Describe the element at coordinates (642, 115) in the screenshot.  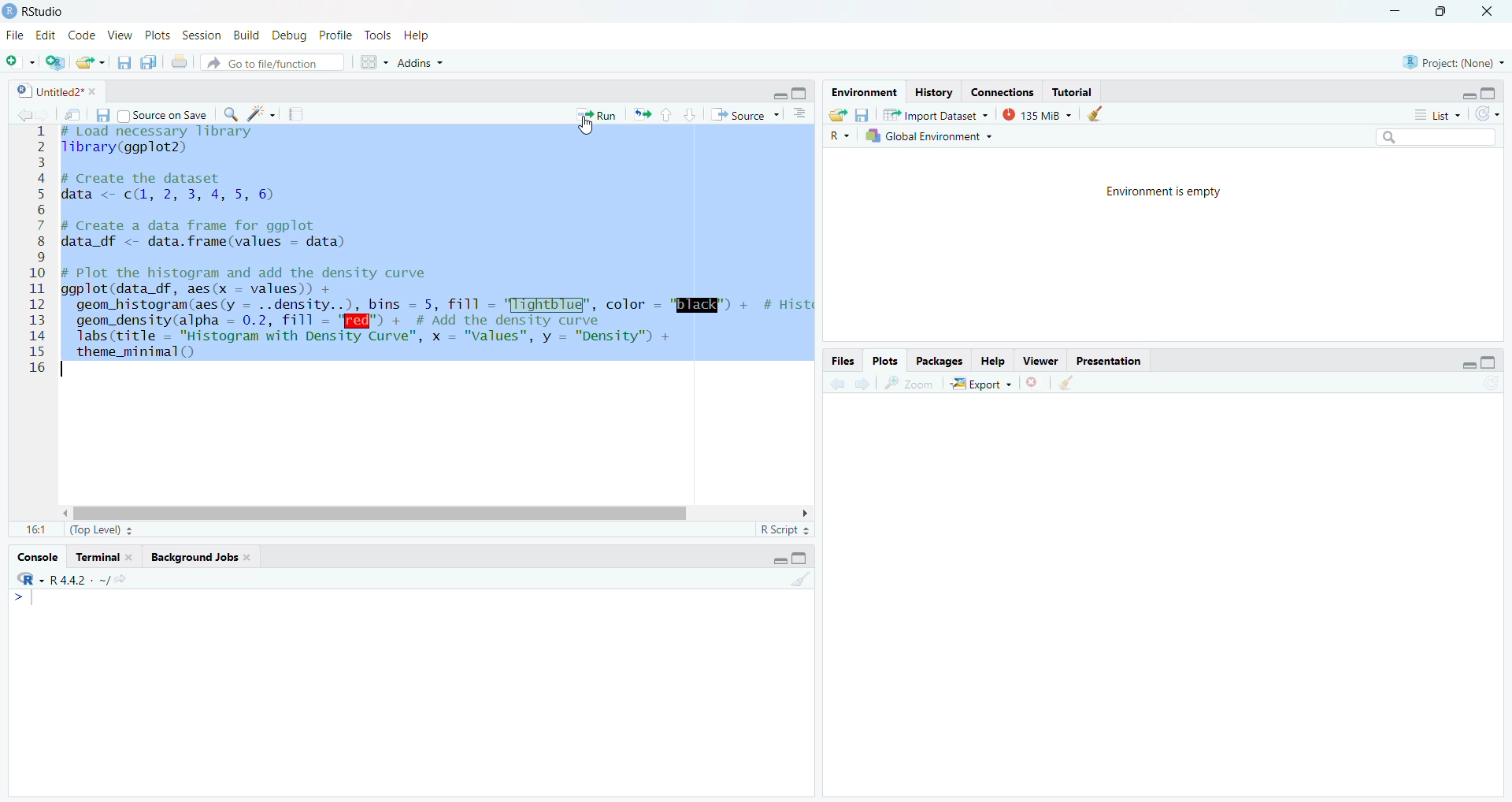
I see `Re-run the previous code again` at that location.